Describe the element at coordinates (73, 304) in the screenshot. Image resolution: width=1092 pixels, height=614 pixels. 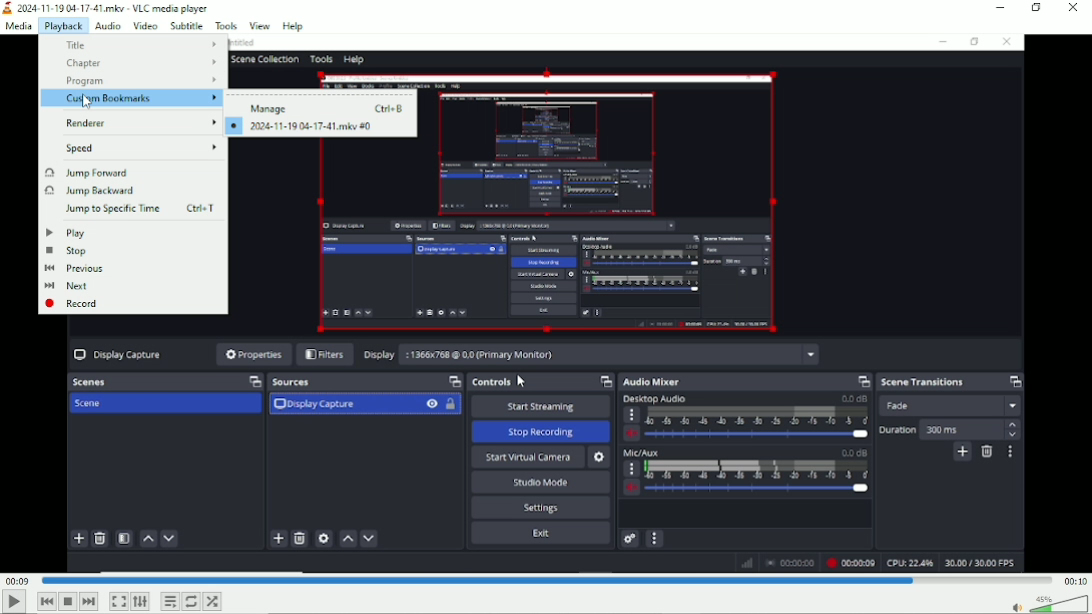
I see `Record` at that location.